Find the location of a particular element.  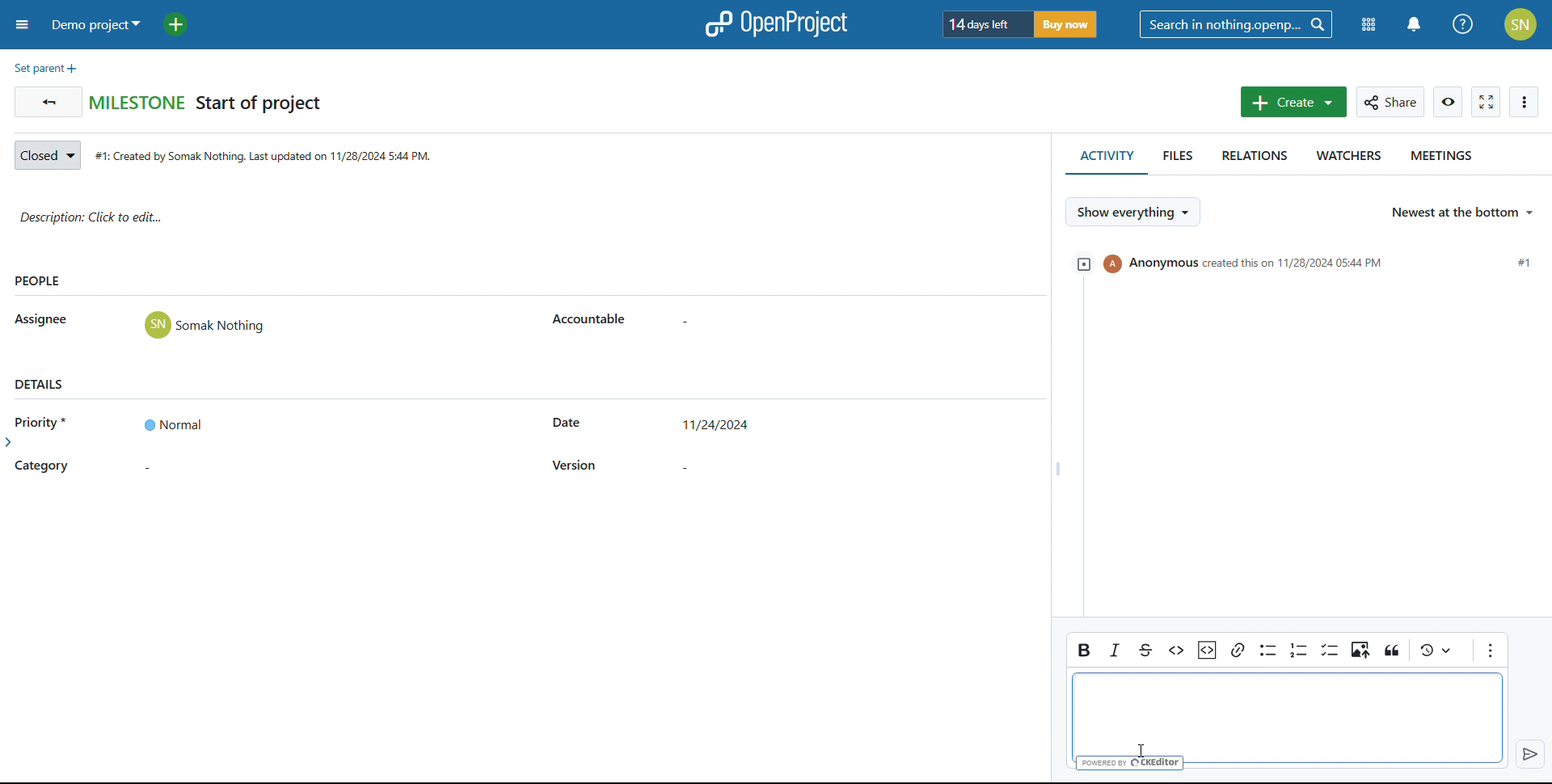

search is located at coordinates (1236, 24).